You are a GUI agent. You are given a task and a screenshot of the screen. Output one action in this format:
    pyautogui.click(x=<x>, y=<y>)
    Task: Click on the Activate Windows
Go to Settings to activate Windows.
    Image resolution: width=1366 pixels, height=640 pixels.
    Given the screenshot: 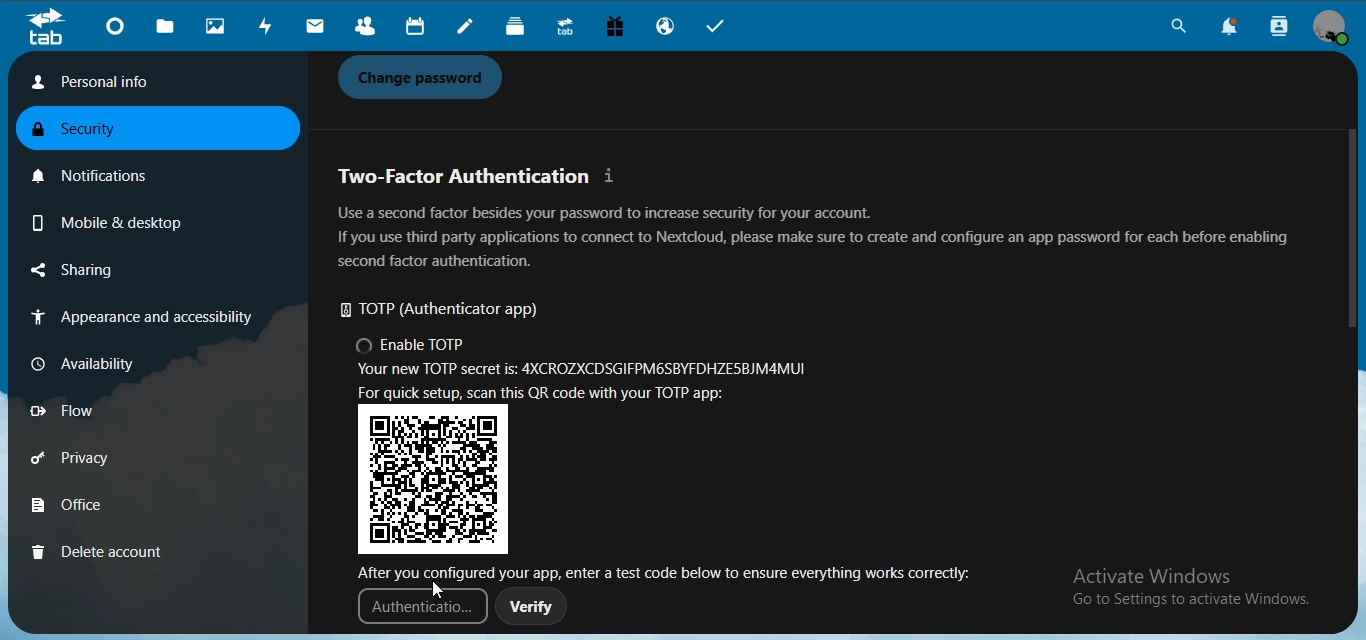 What is the action you would take?
    pyautogui.click(x=1194, y=589)
    